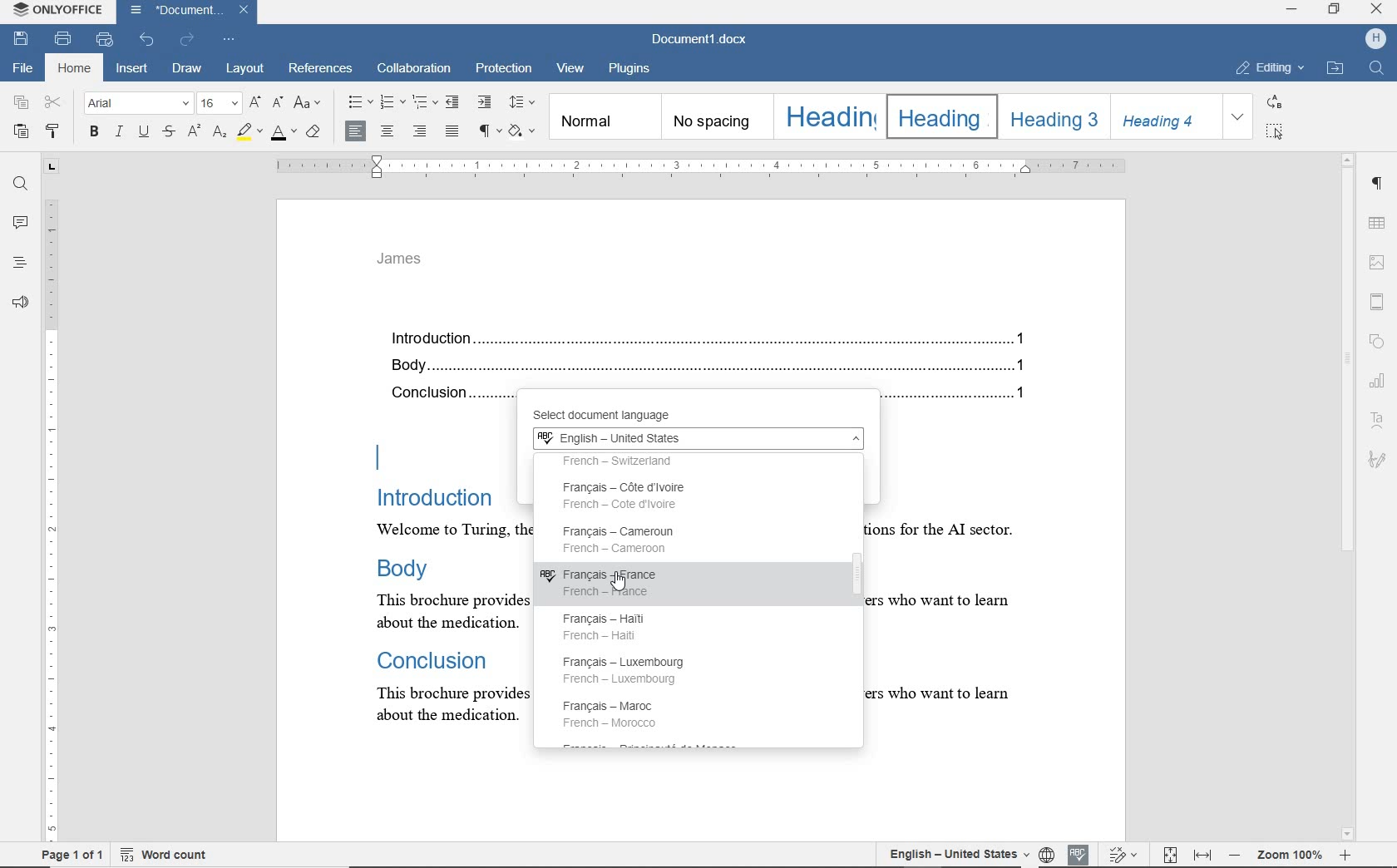 This screenshot has height=868, width=1397. What do you see at coordinates (58, 12) in the screenshot?
I see `system name` at bounding box center [58, 12].